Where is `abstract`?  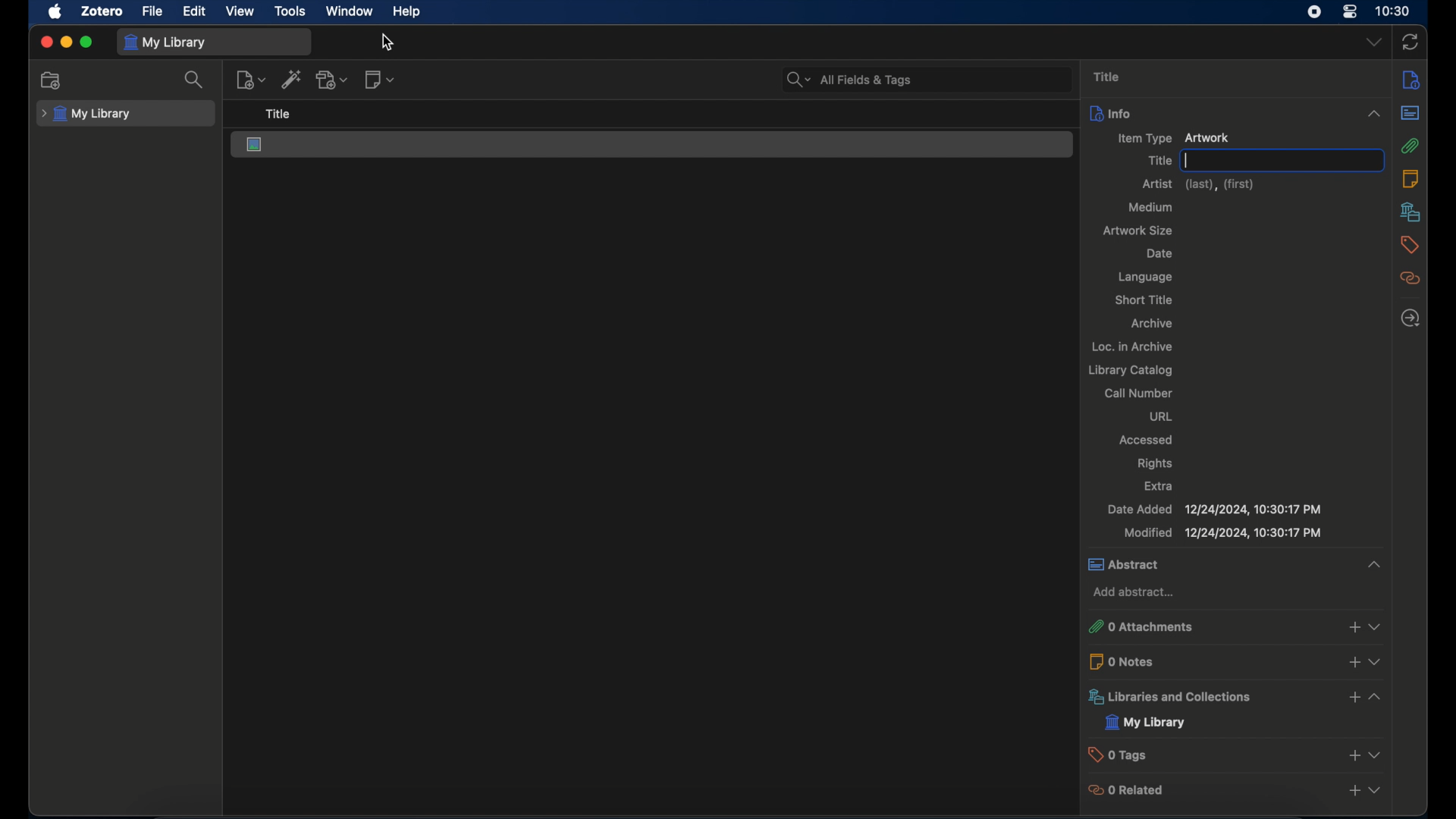
abstract is located at coordinates (1410, 113).